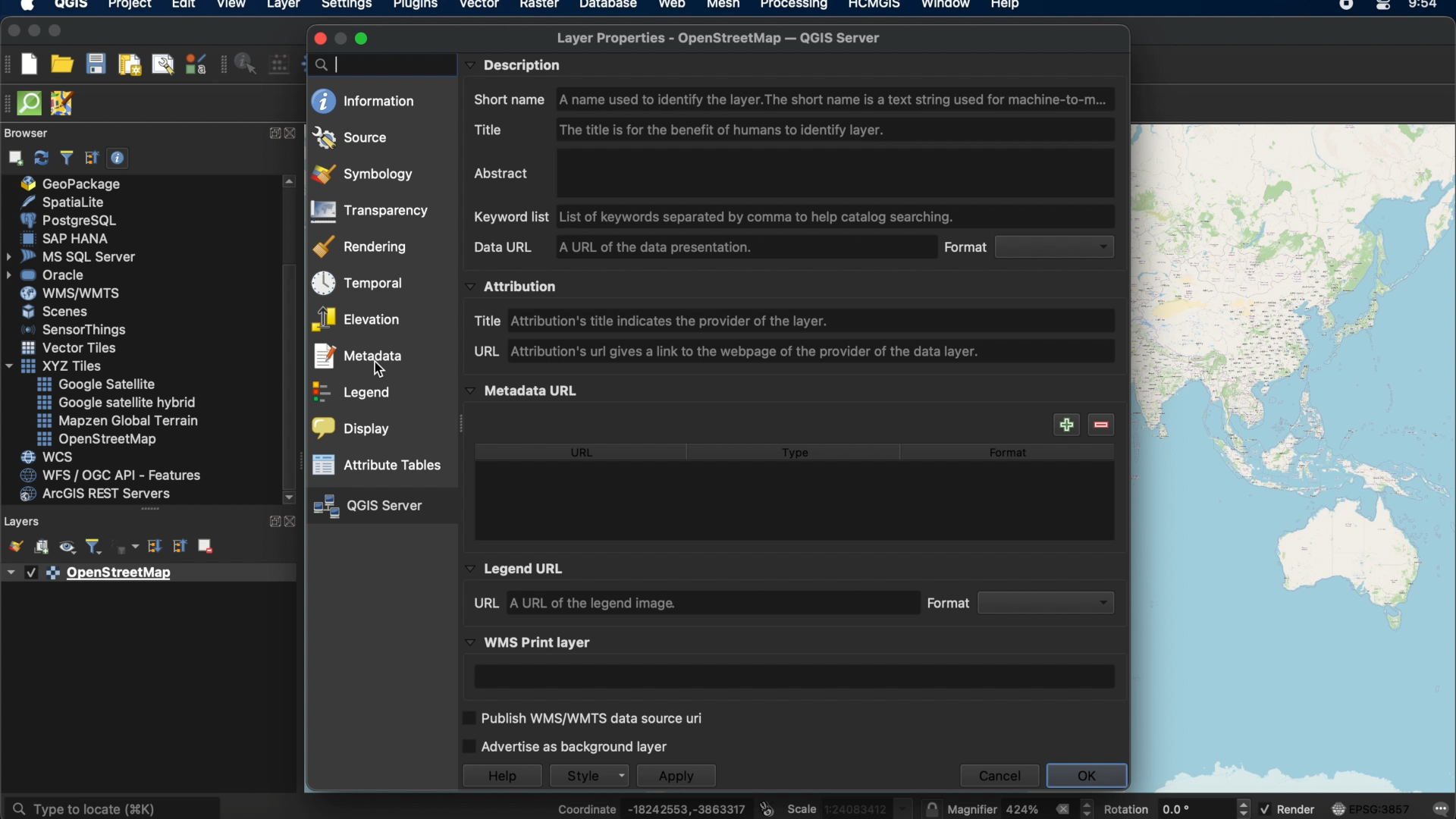 This screenshot has height=819, width=1456. I want to click on mesh, so click(722, 6).